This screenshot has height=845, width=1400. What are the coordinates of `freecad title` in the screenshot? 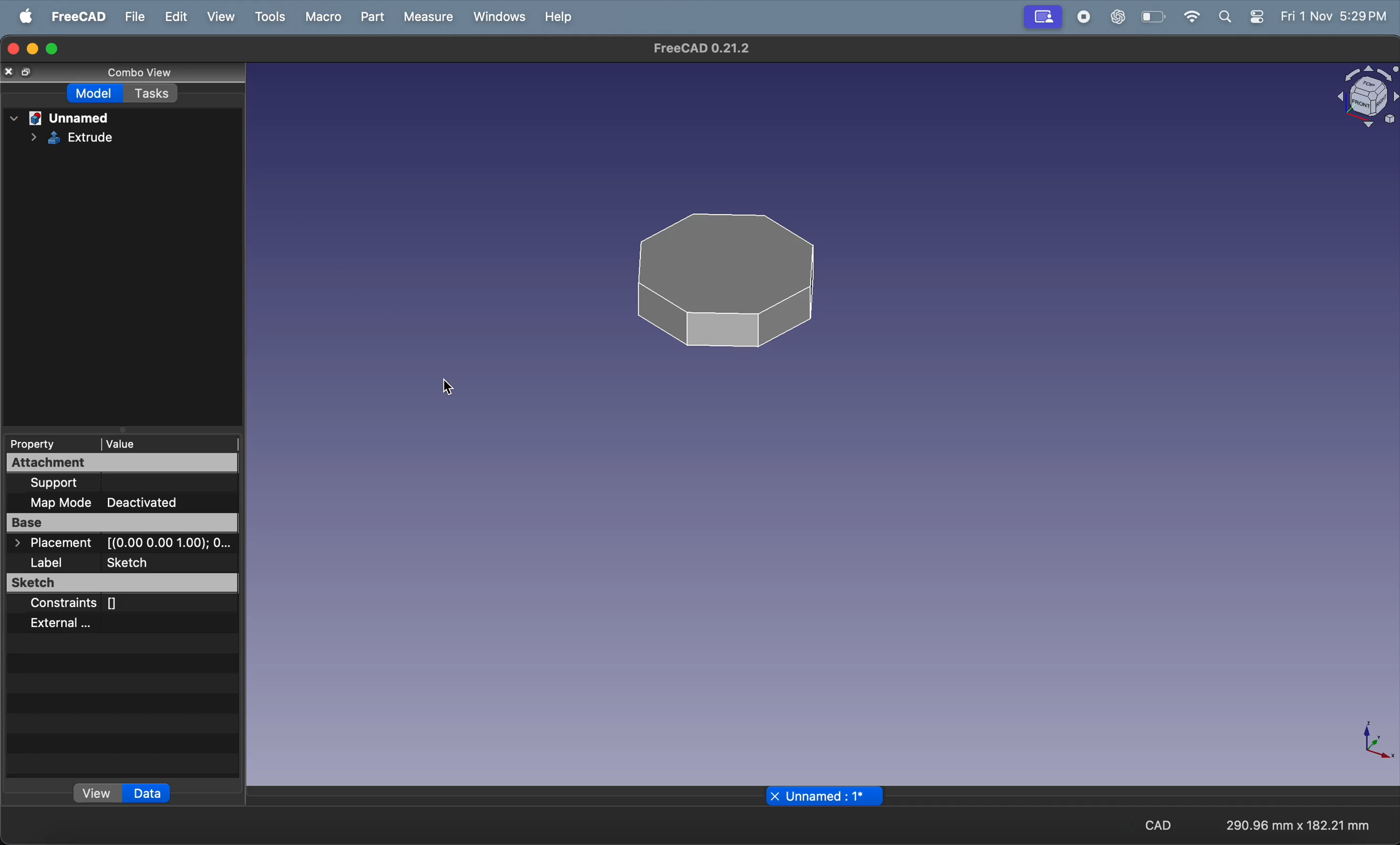 It's located at (698, 49).